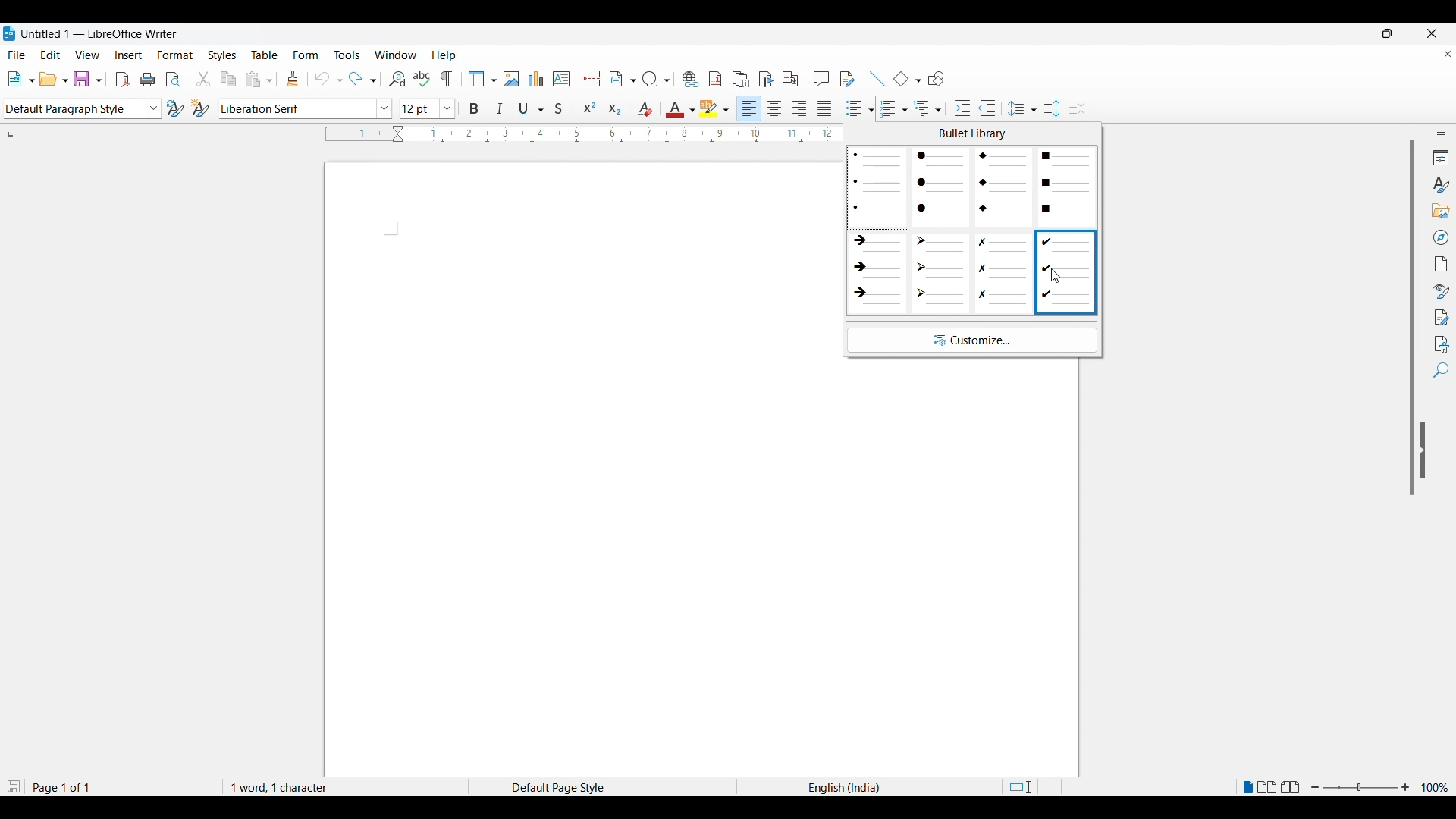 Image resolution: width=1456 pixels, height=819 pixels. I want to click on insert hyperlink, so click(689, 78).